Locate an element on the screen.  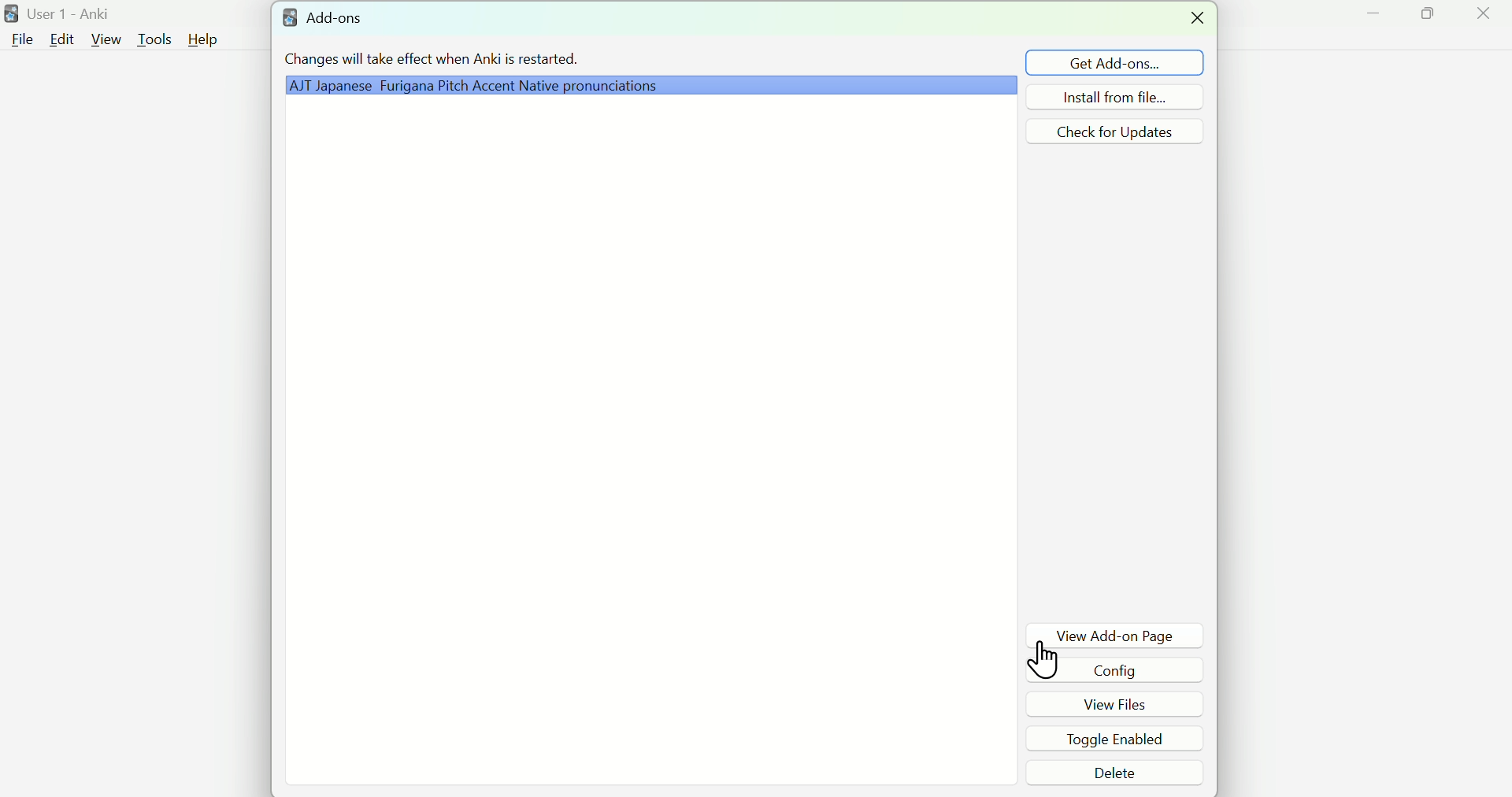
Close is located at coordinates (1486, 19).